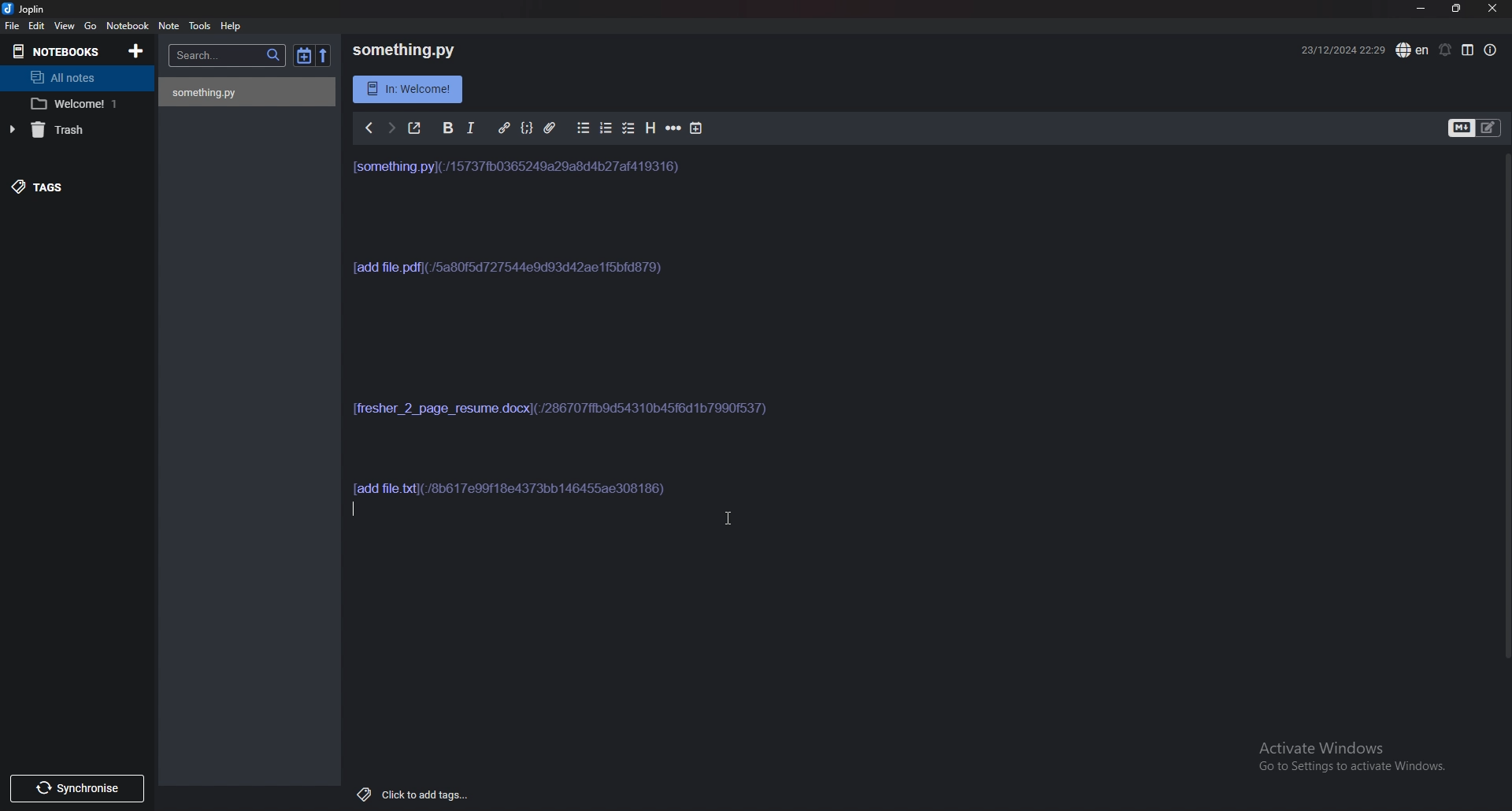  What do you see at coordinates (350, 512) in the screenshot?
I see `typing cursor` at bounding box center [350, 512].